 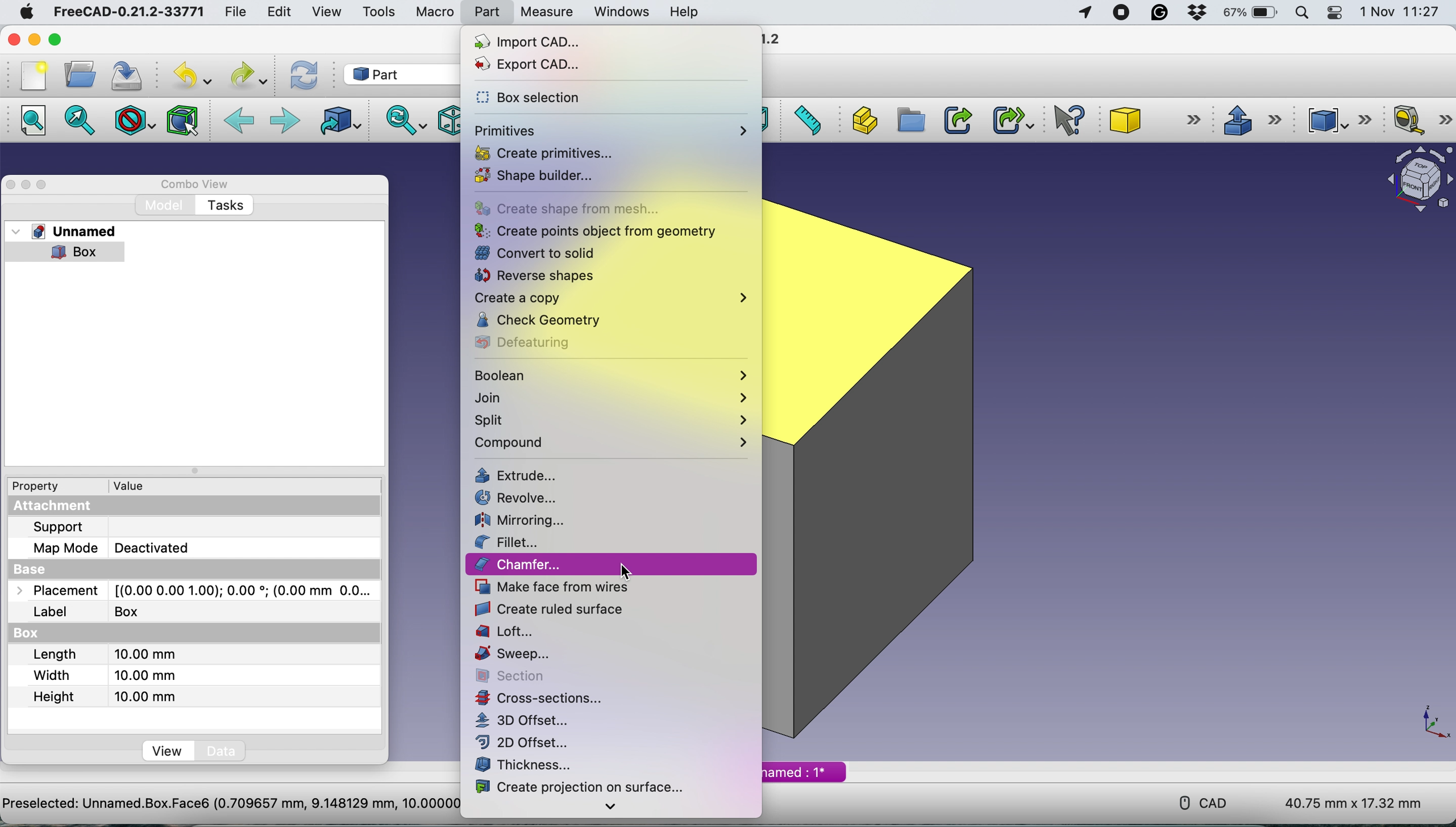 What do you see at coordinates (956, 120) in the screenshot?
I see `make link` at bounding box center [956, 120].